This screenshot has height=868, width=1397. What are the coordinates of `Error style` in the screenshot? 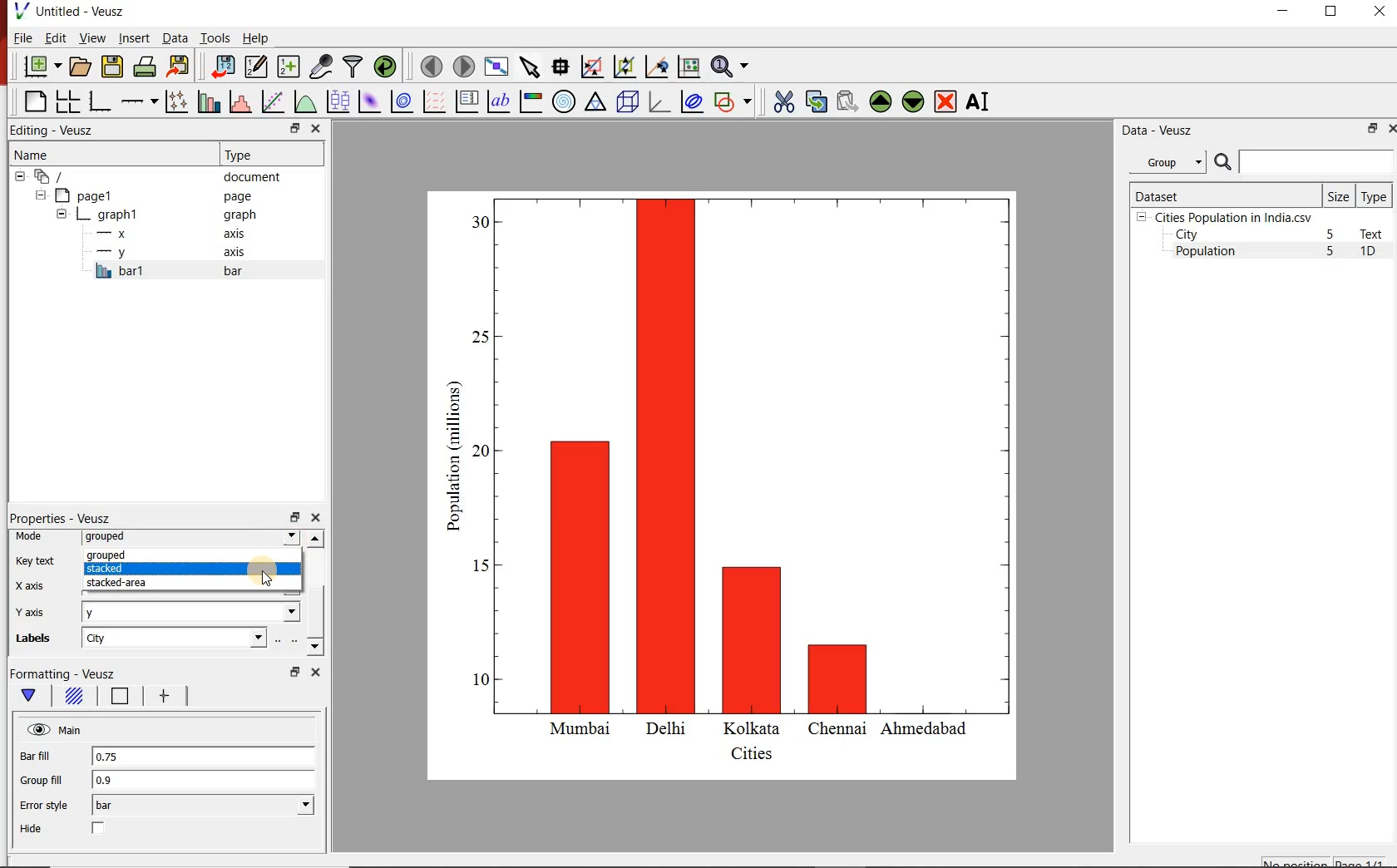 It's located at (43, 806).